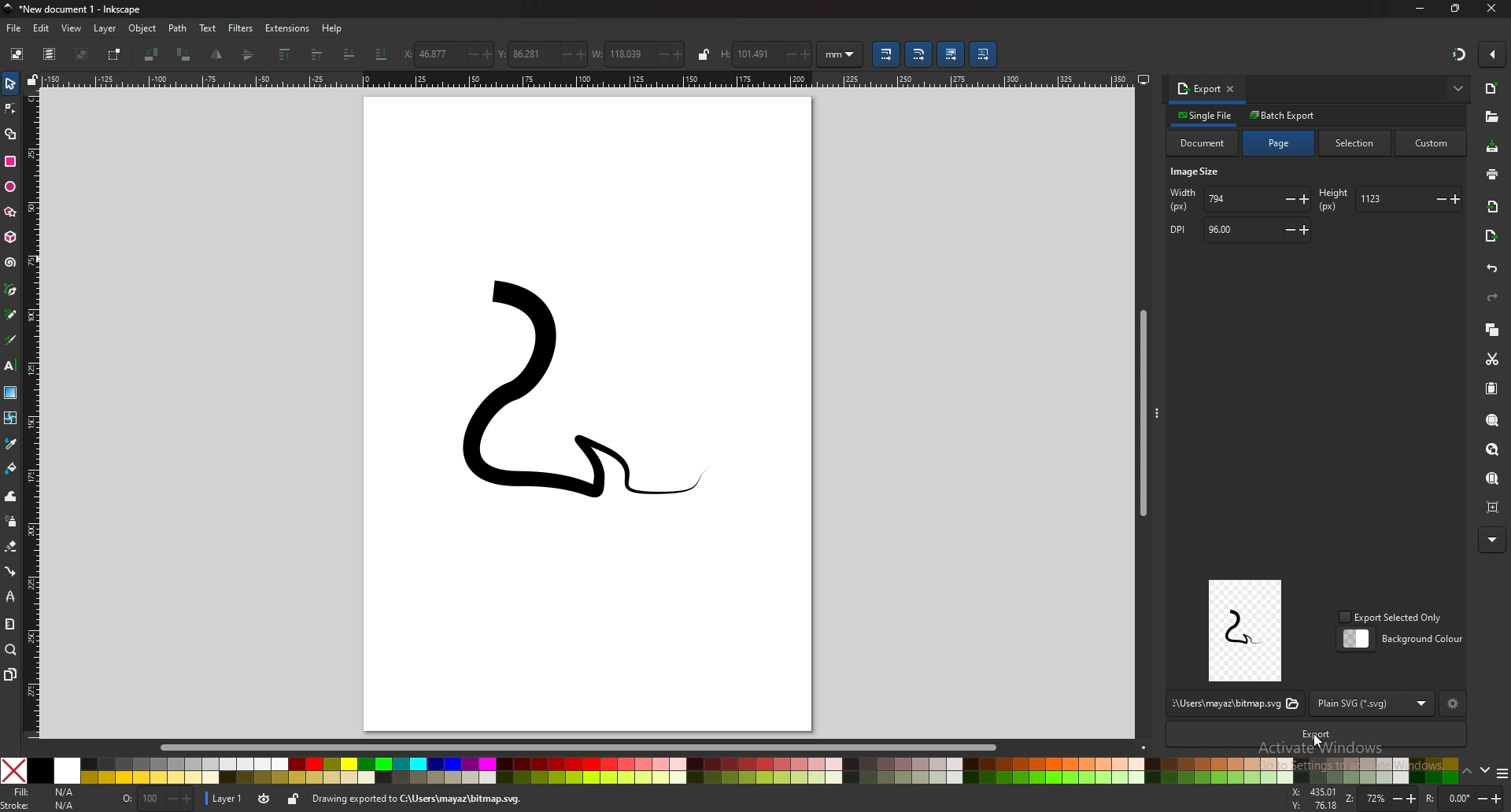 The height and width of the screenshot is (812, 1511). Describe the element at coordinates (1494, 507) in the screenshot. I see `zoom centre page` at that location.